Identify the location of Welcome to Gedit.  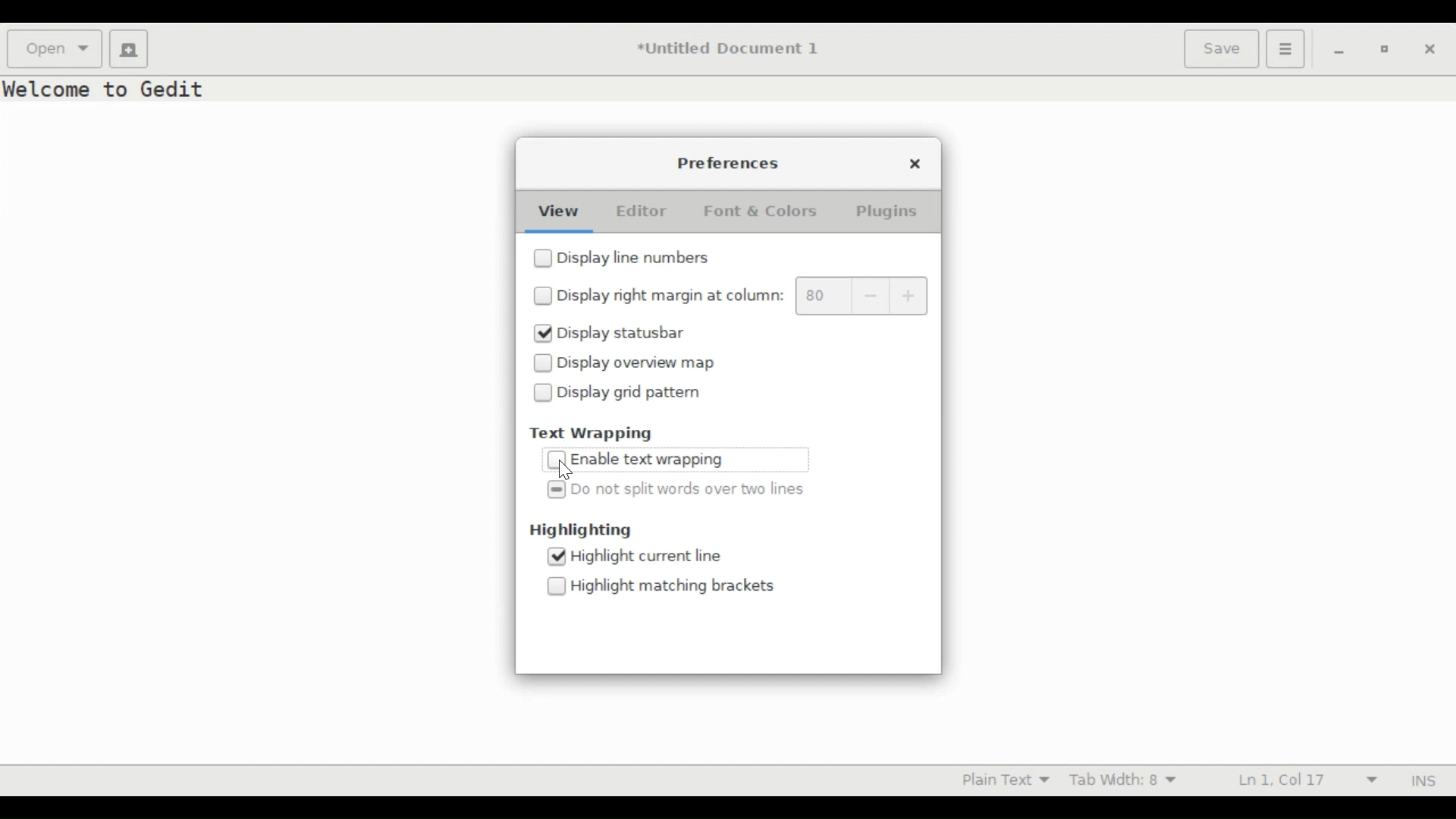
(108, 89).